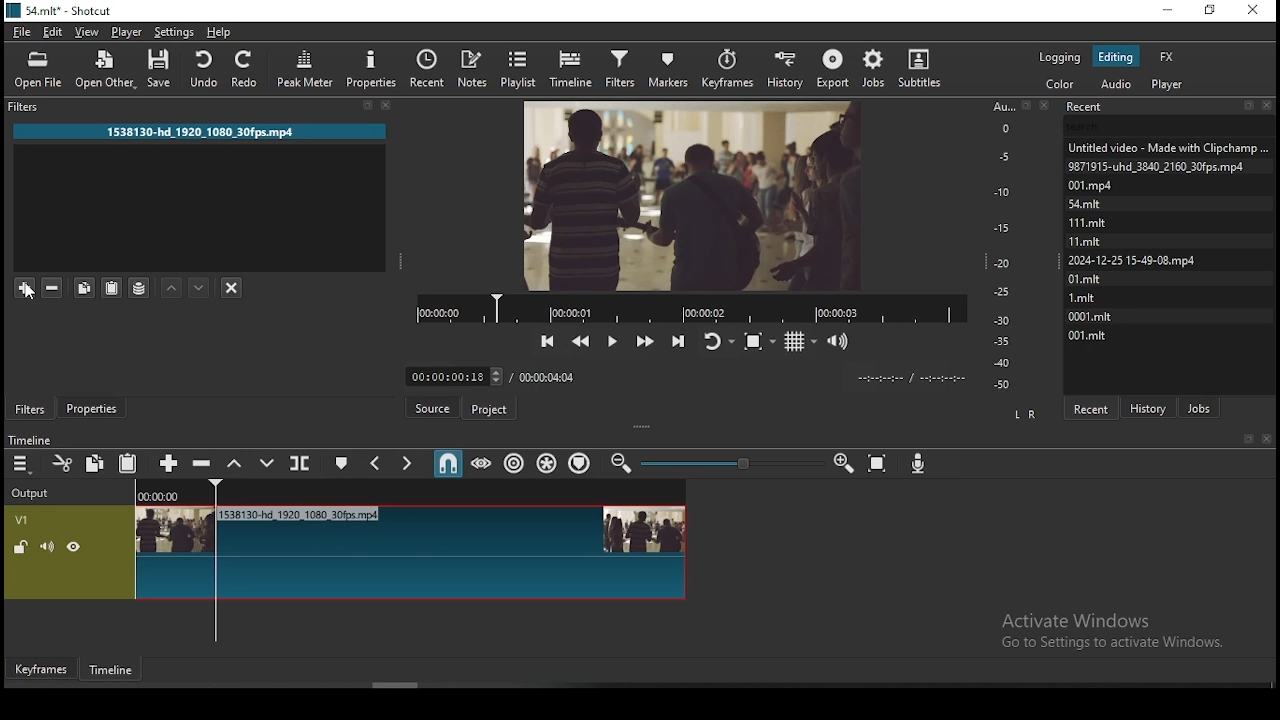 This screenshot has height=720, width=1280. Describe the element at coordinates (837, 340) in the screenshot. I see `volume control` at that location.